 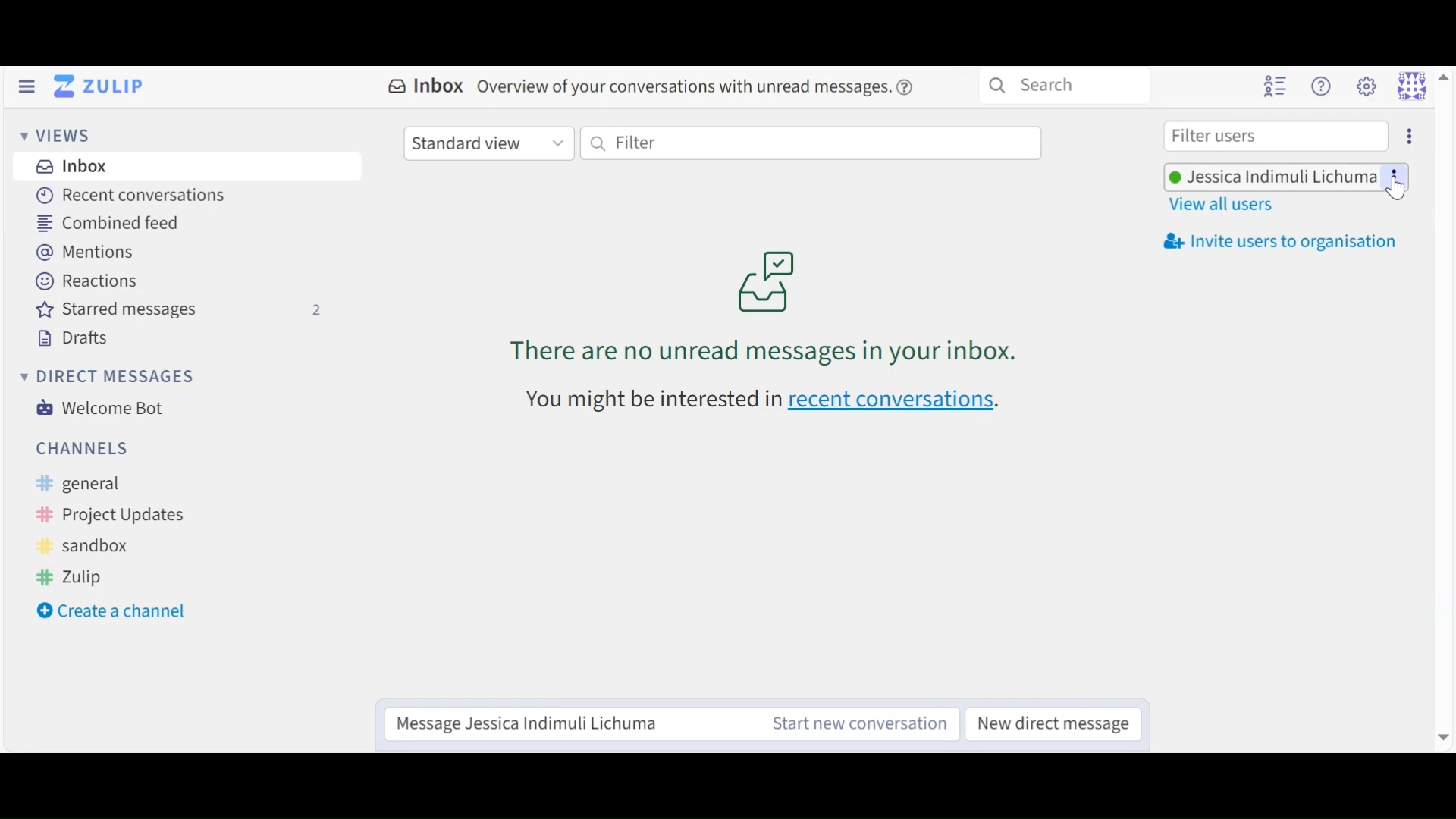 I want to click on Mentions, so click(x=93, y=253).